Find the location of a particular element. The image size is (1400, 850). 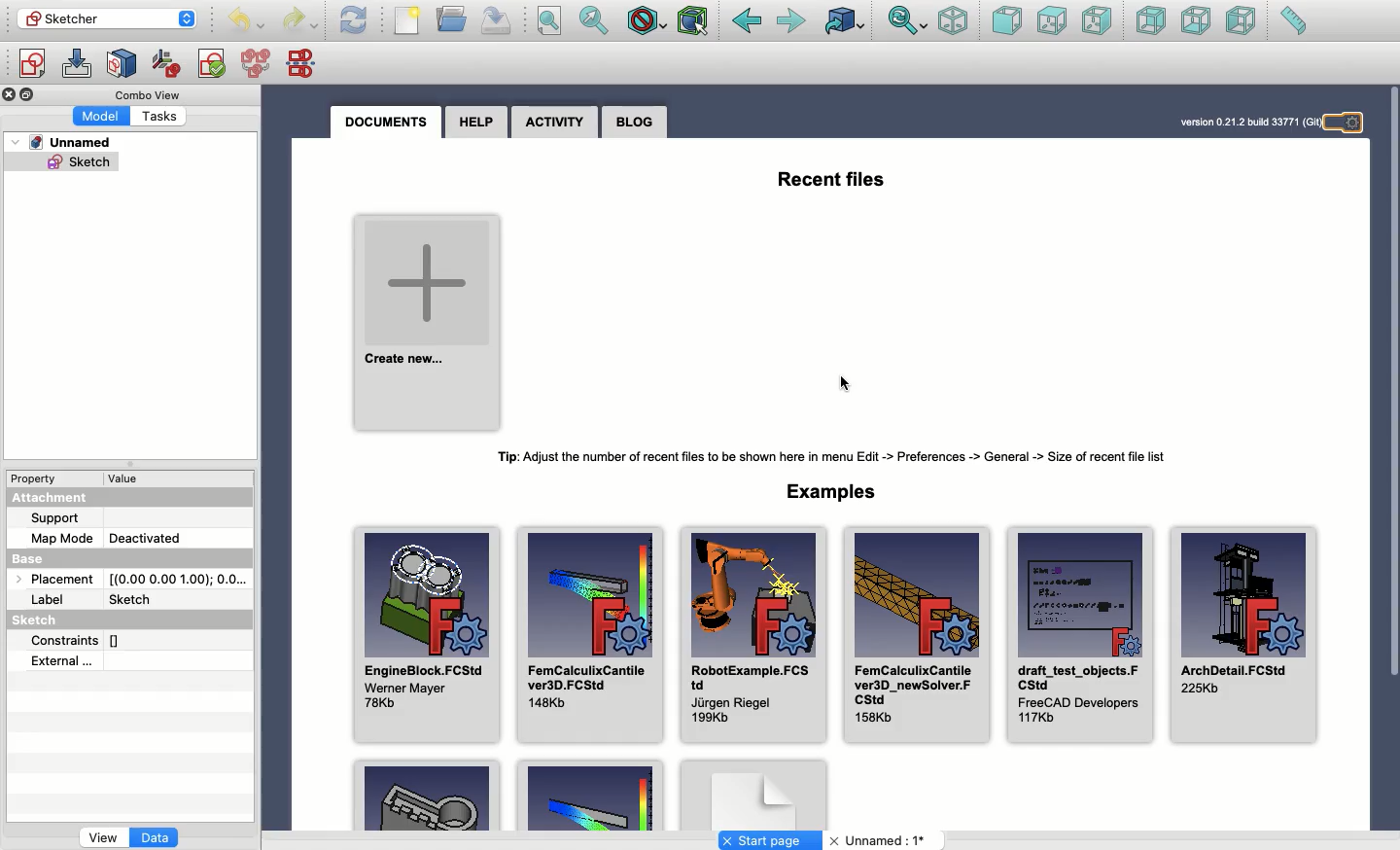

Right is located at coordinates (1097, 20).